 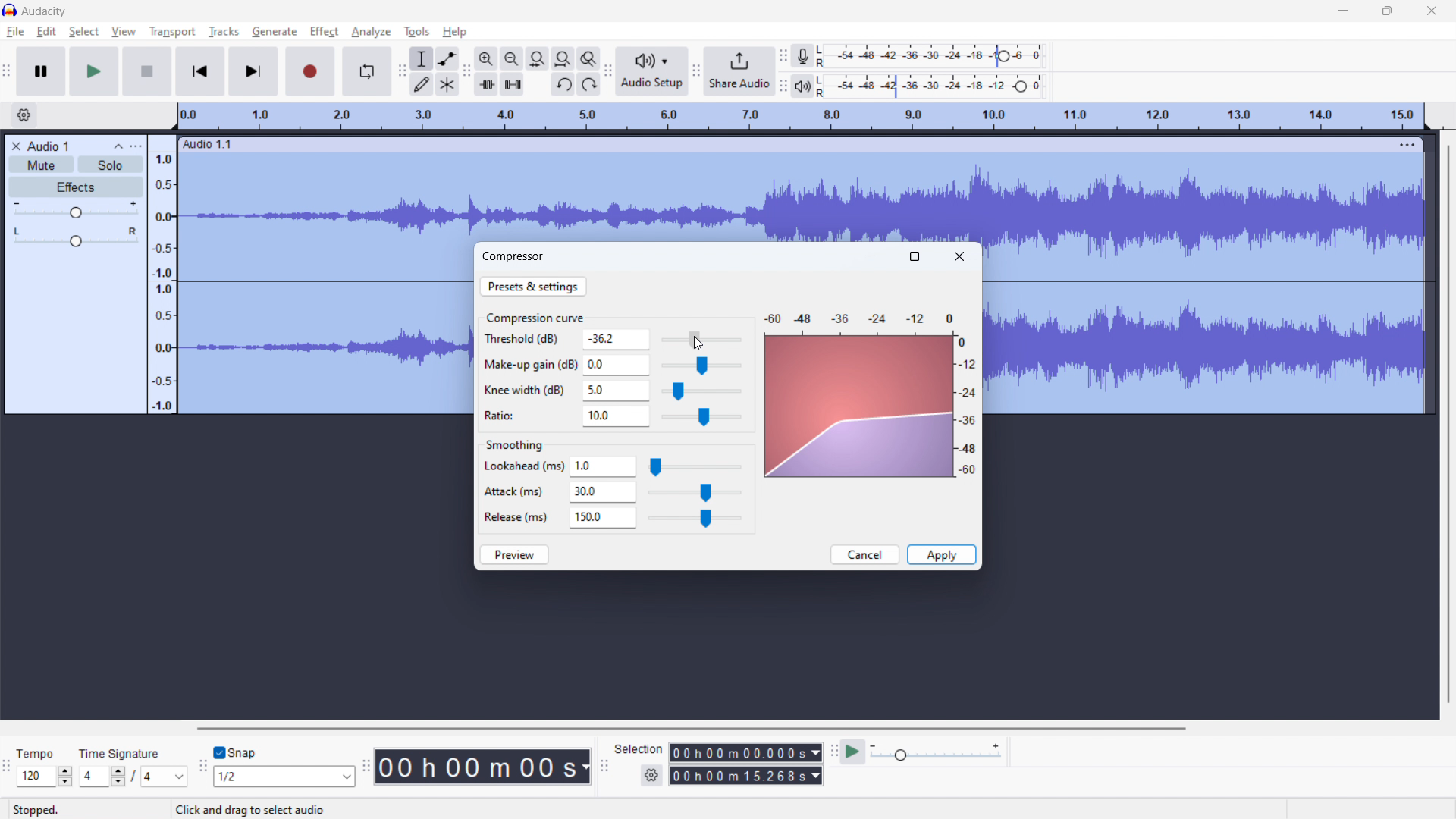 I want to click on knee width slider, so click(x=700, y=392).